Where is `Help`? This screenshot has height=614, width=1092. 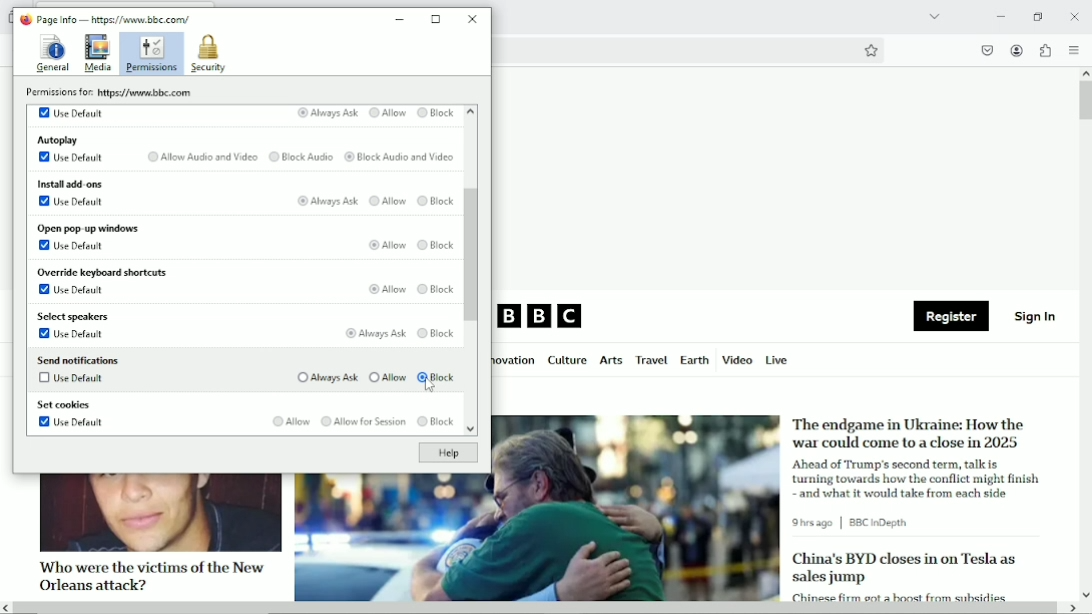 Help is located at coordinates (447, 453).